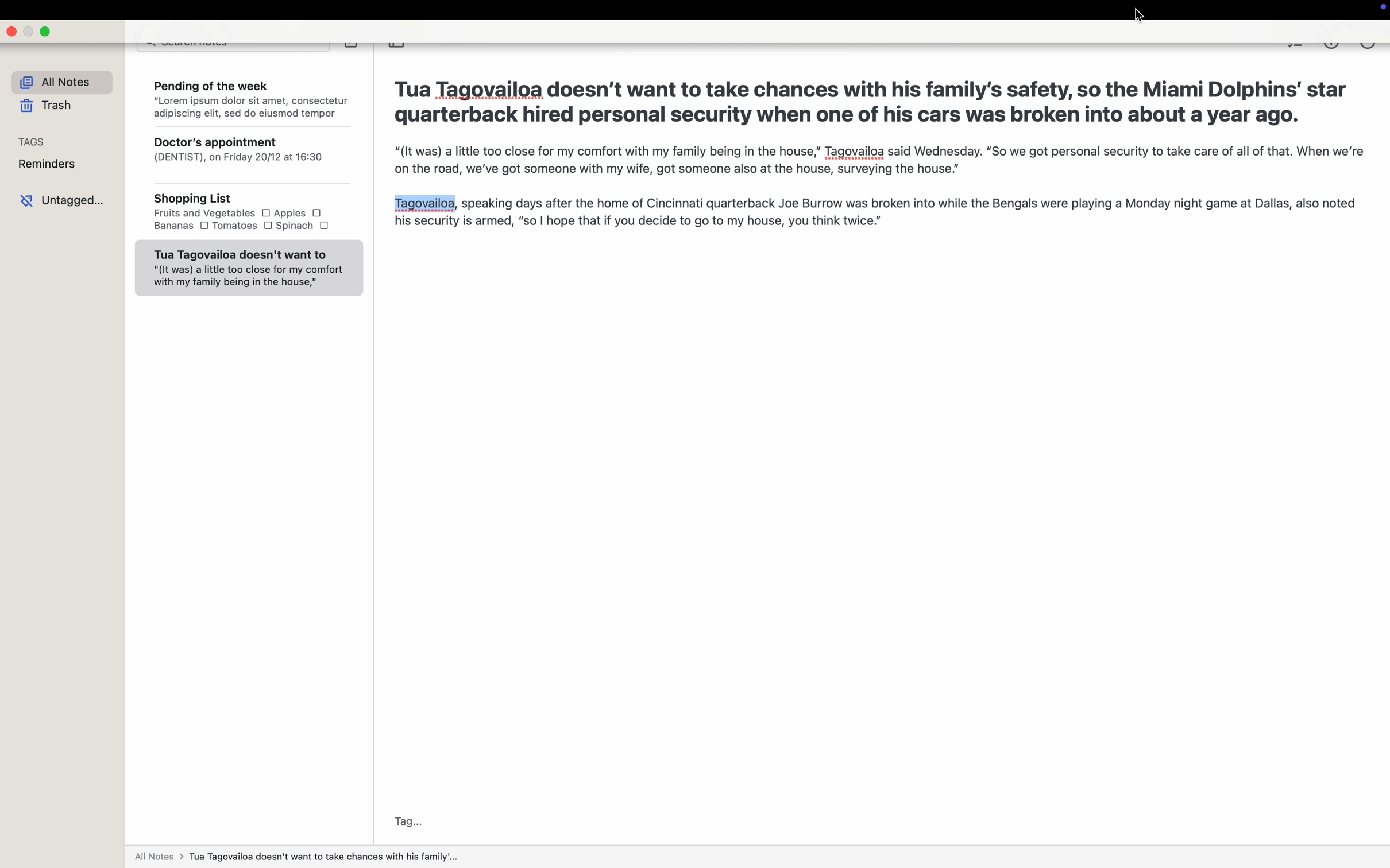 This screenshot has width=1390, height=868. I want to click on All Notes > Tua Tagovailoa doesn't want to take chances with his family"..., so click(303, 857).